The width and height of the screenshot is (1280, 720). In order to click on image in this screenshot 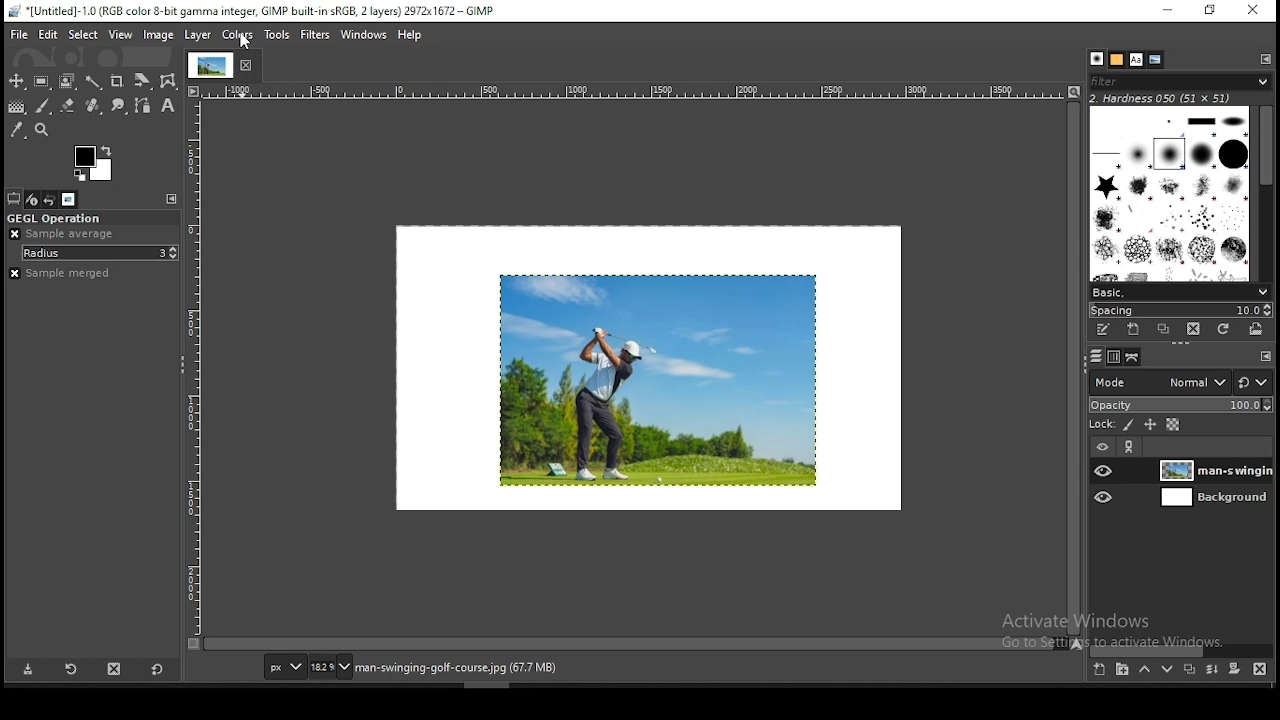, I will do `click(660, 380)`.